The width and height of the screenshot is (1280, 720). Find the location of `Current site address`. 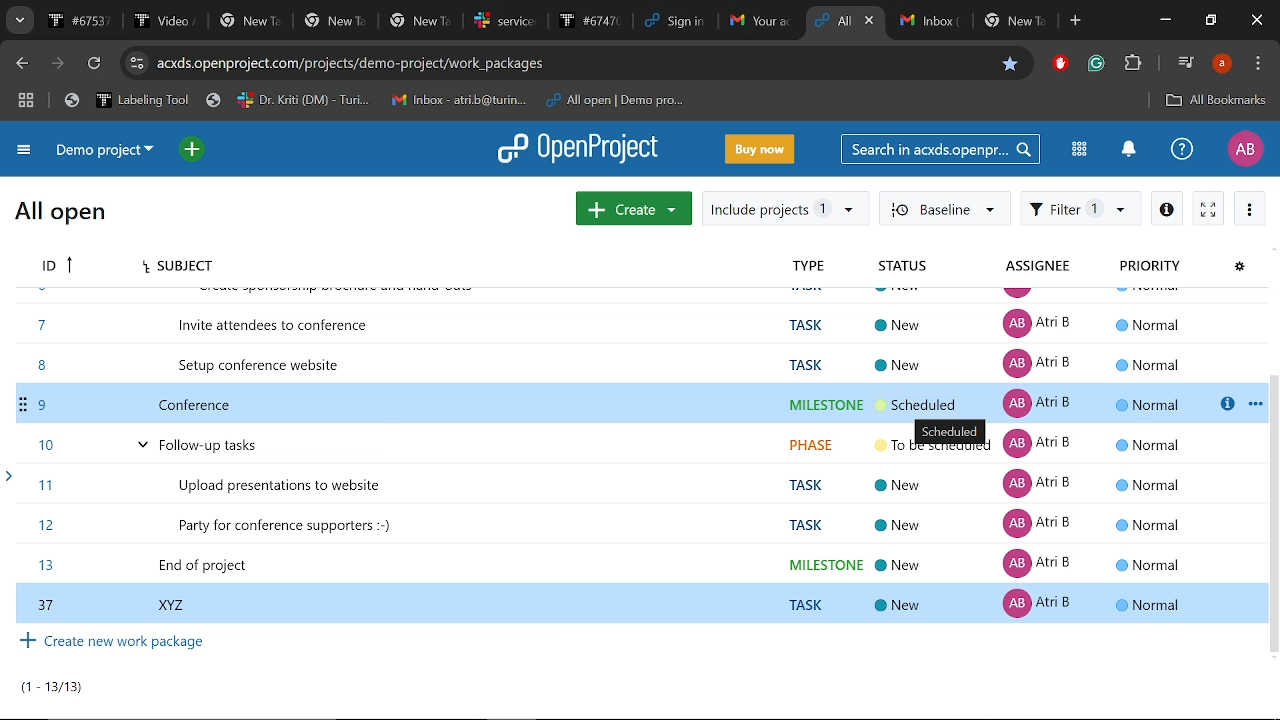

Current site address is located at coordinates (574, 62).